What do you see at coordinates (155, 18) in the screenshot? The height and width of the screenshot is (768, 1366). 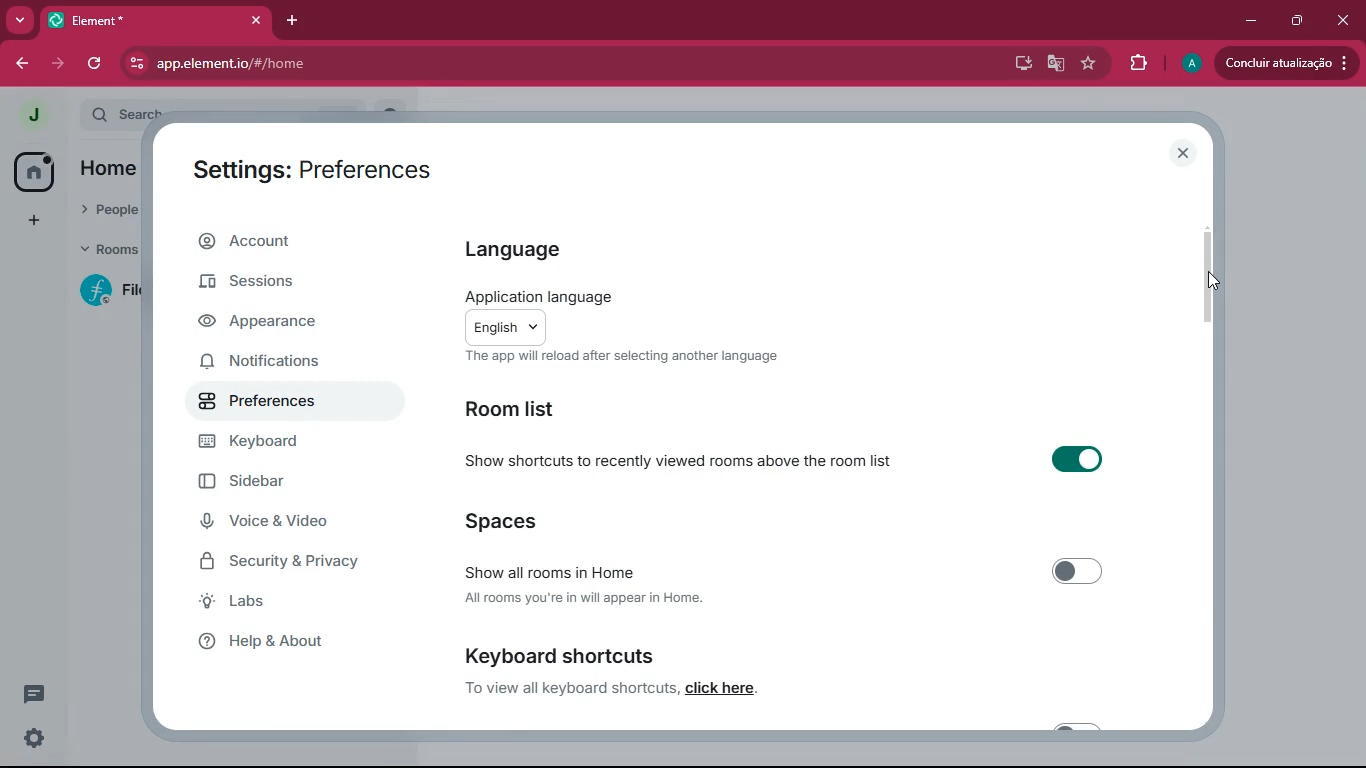 I see `element` at bounding box center [155, 18].